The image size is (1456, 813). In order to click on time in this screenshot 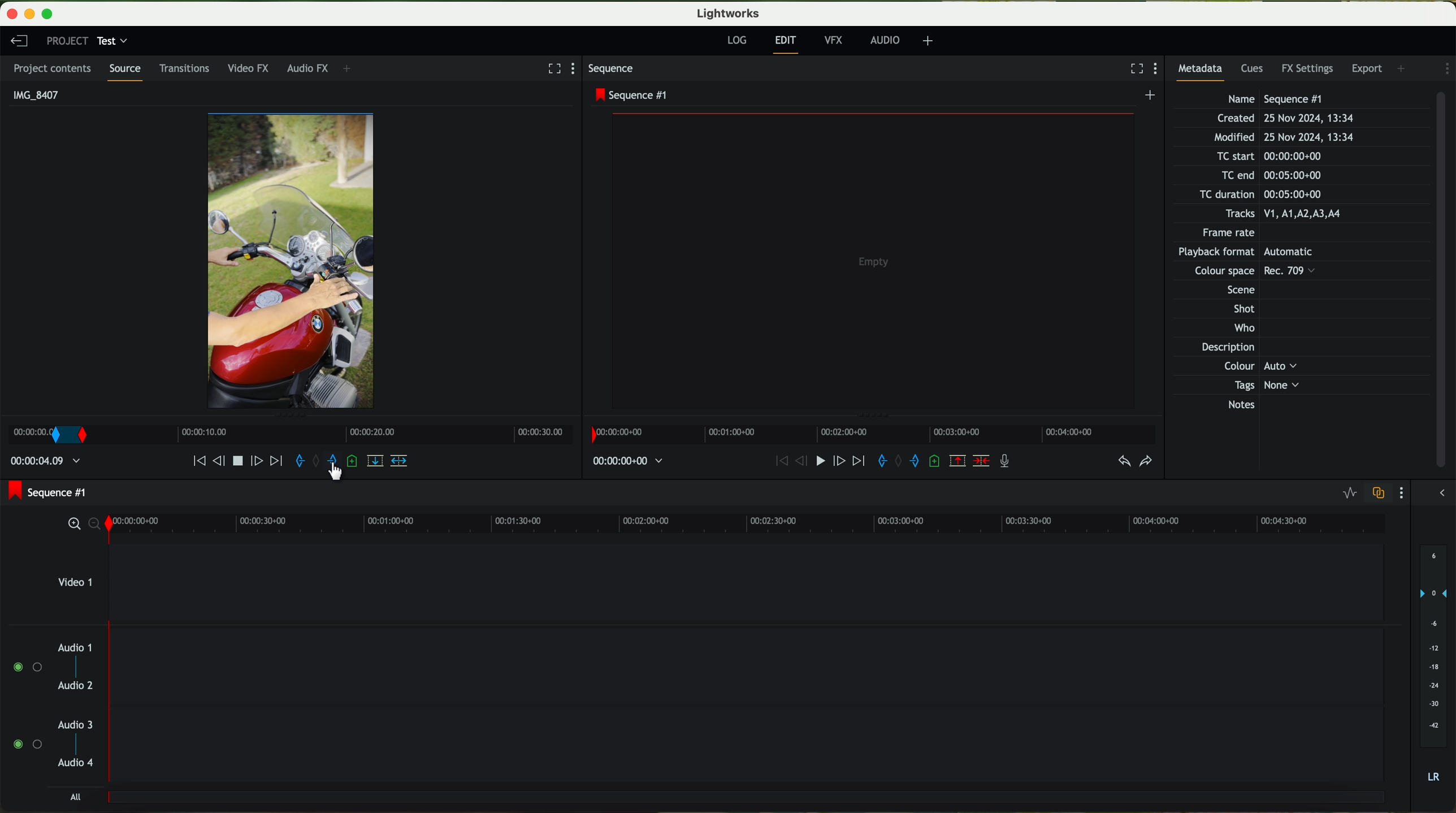, I will do `click(630, 461)`.